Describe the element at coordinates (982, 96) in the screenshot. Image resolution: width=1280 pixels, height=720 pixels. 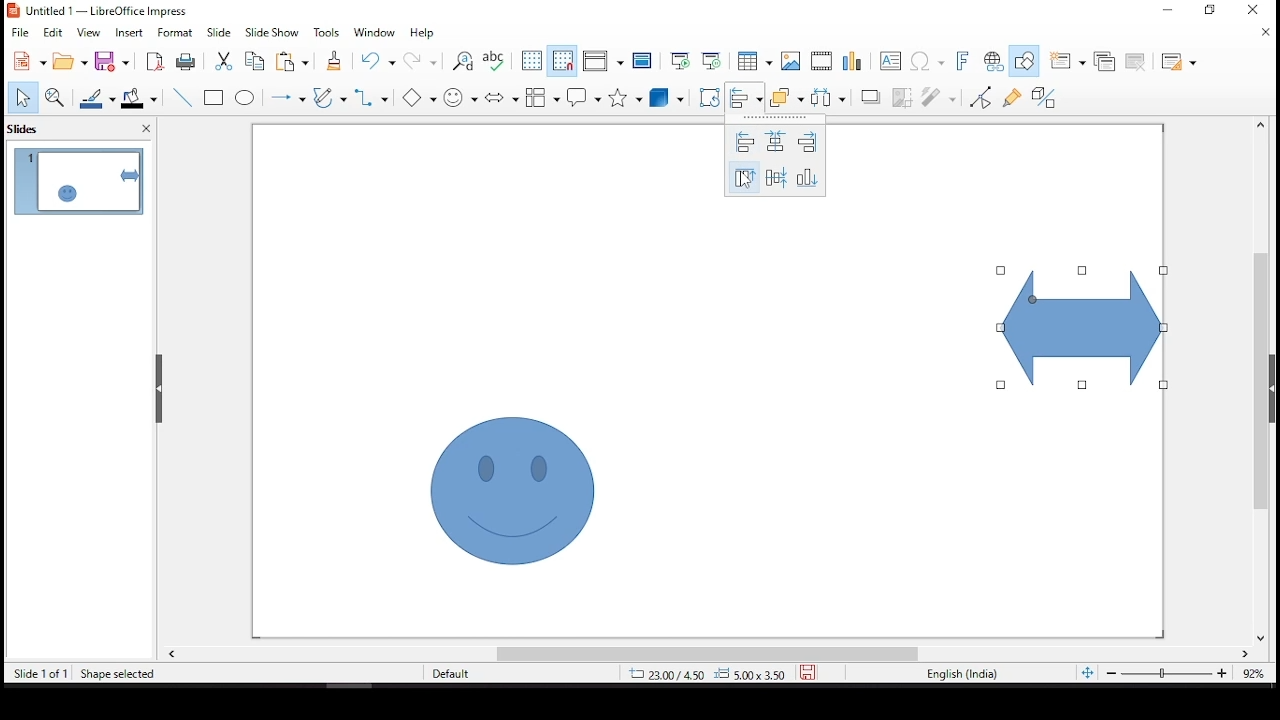
I see `toggle point edit mode` at that location.